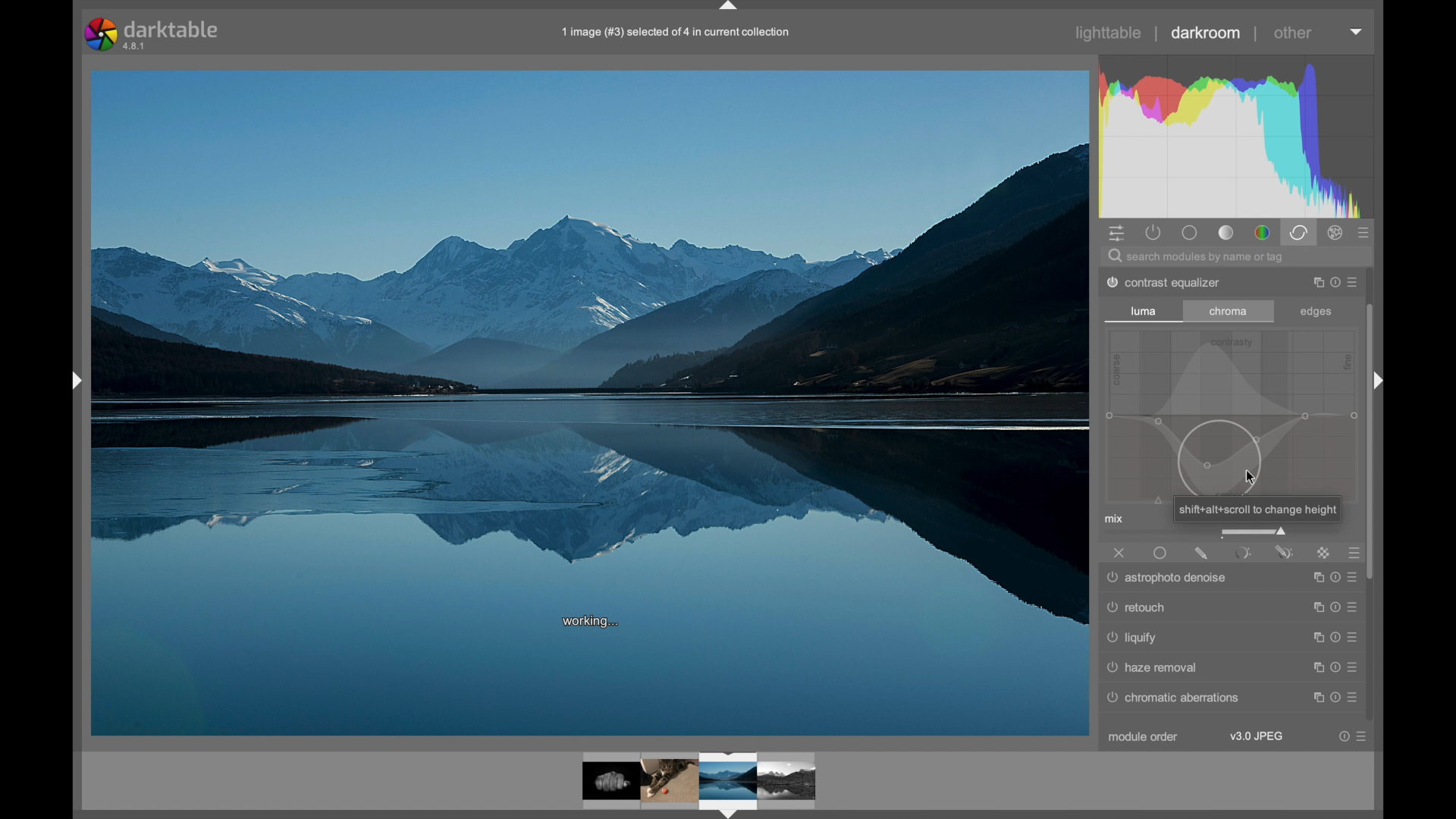 This screenshot has height=819, width=1456. I want to click on cursor, so click(1250, 482).